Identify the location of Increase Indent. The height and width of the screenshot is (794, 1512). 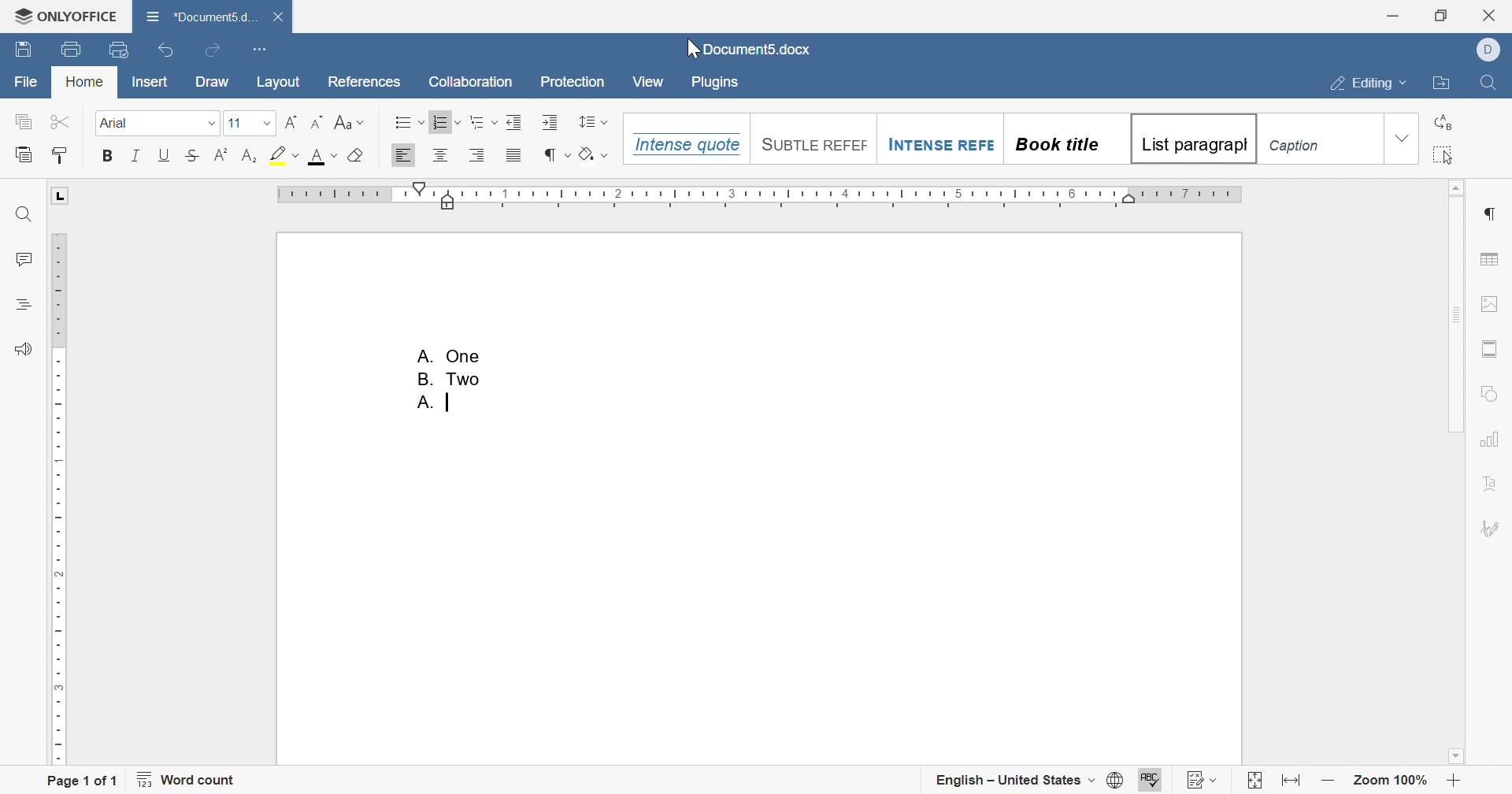
(513, 121).